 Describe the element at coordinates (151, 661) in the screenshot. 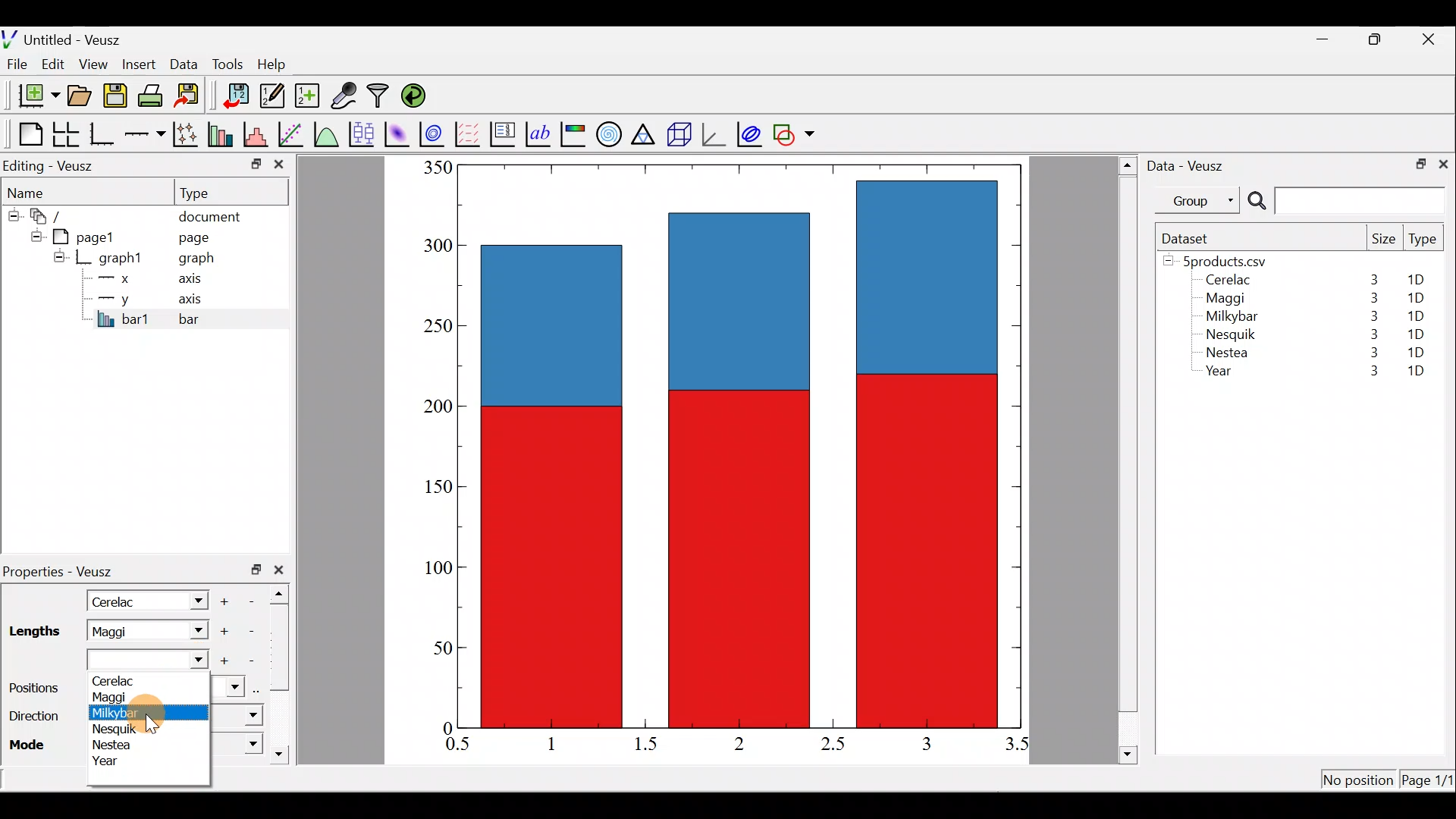

I see `Length dropdown` at that location.